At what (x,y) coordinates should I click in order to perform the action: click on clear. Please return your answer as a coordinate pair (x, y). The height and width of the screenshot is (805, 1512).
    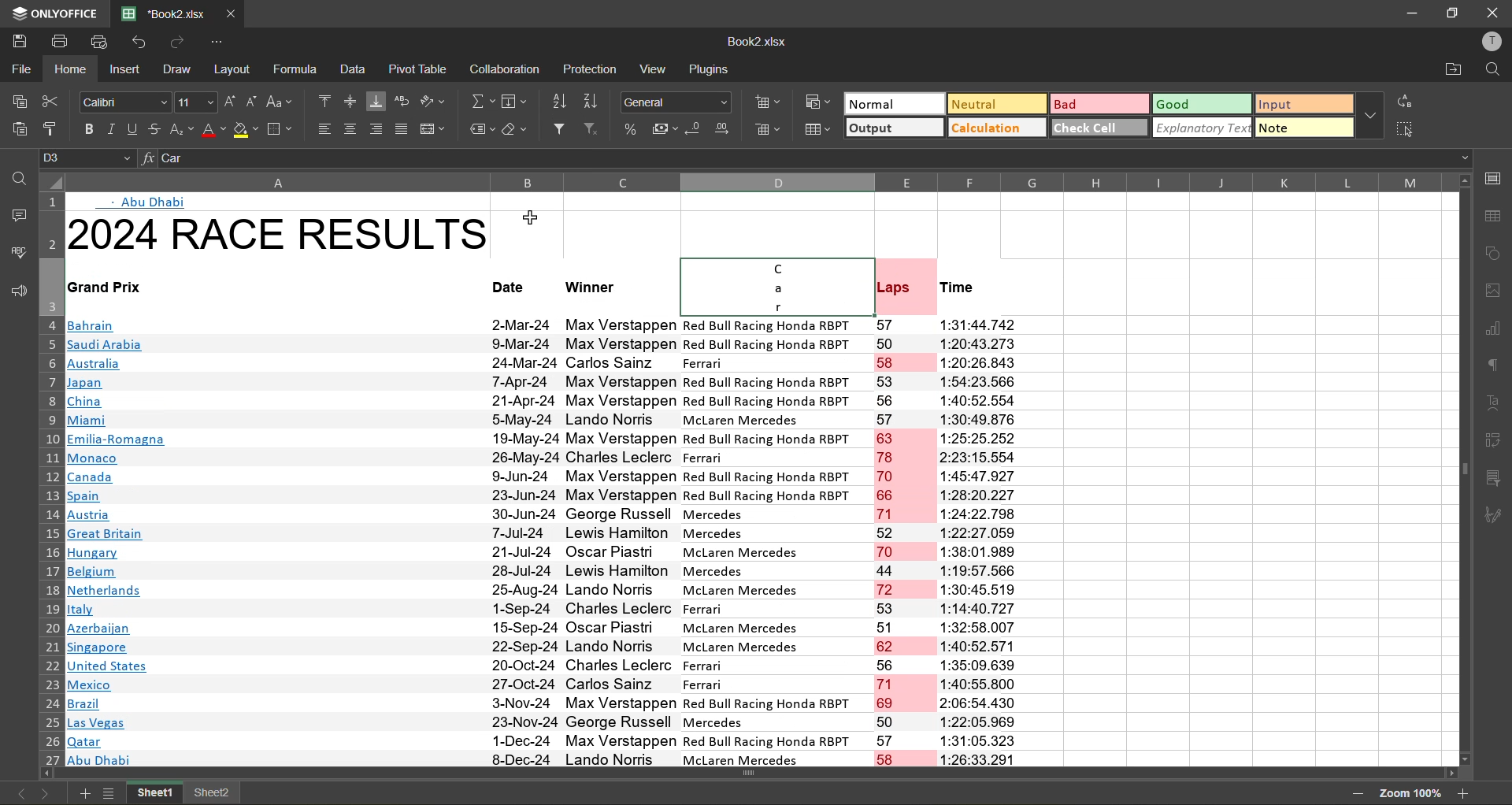
    Looking at the image, I should click on (596, 130).